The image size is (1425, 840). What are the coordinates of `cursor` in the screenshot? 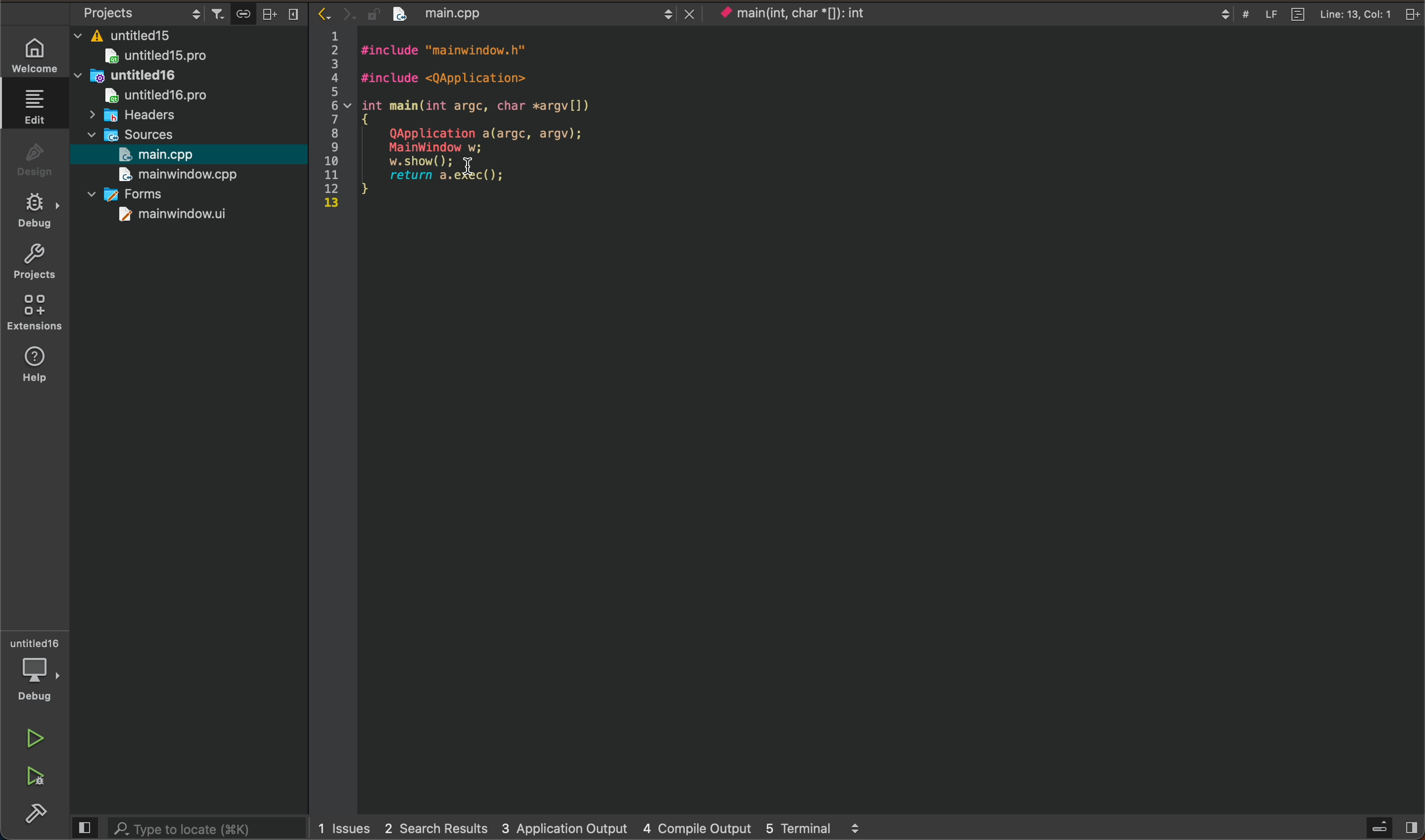 It's located at (472, 166).